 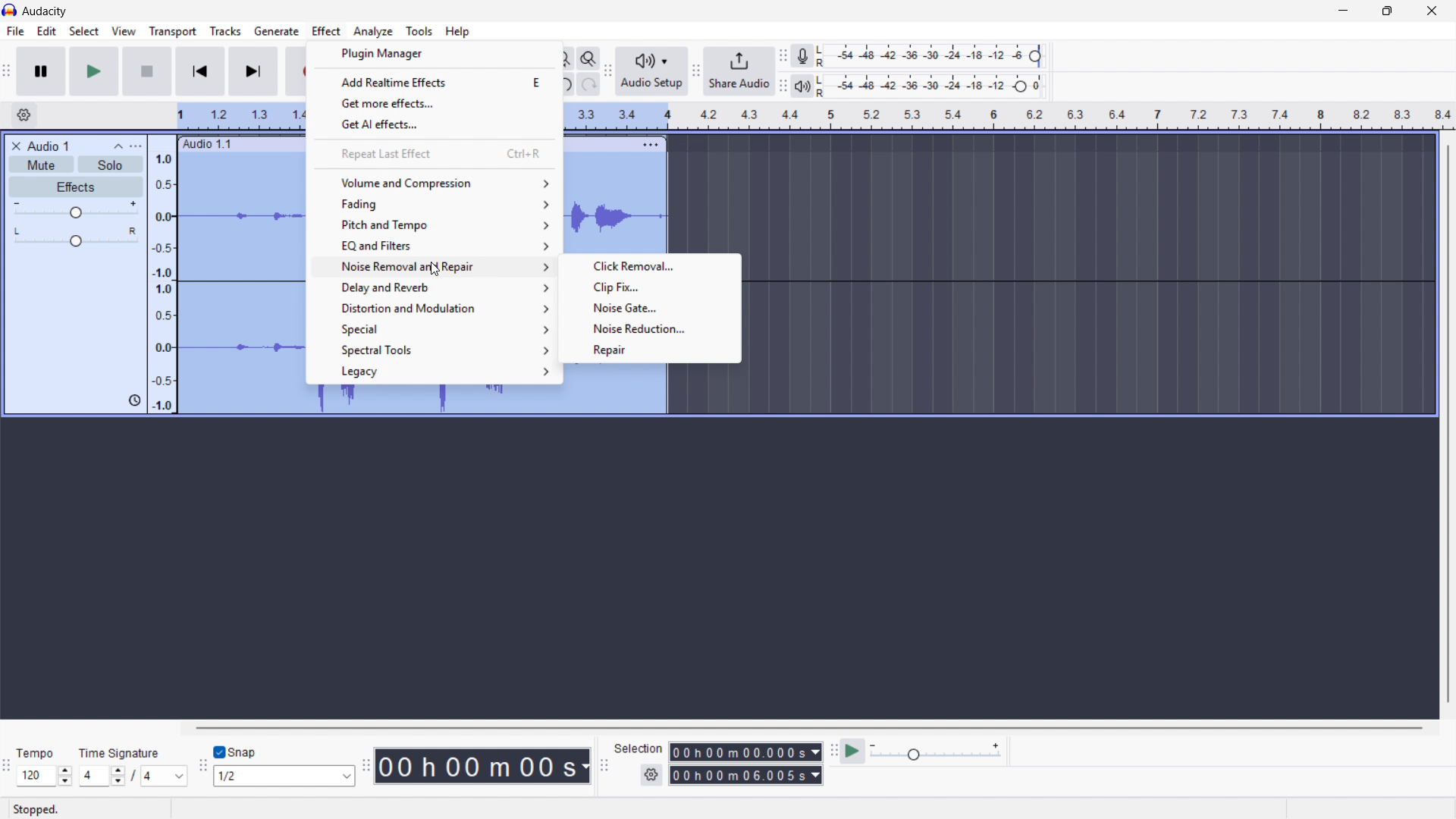 I want to click on Repair, so click(x=651, y=350).